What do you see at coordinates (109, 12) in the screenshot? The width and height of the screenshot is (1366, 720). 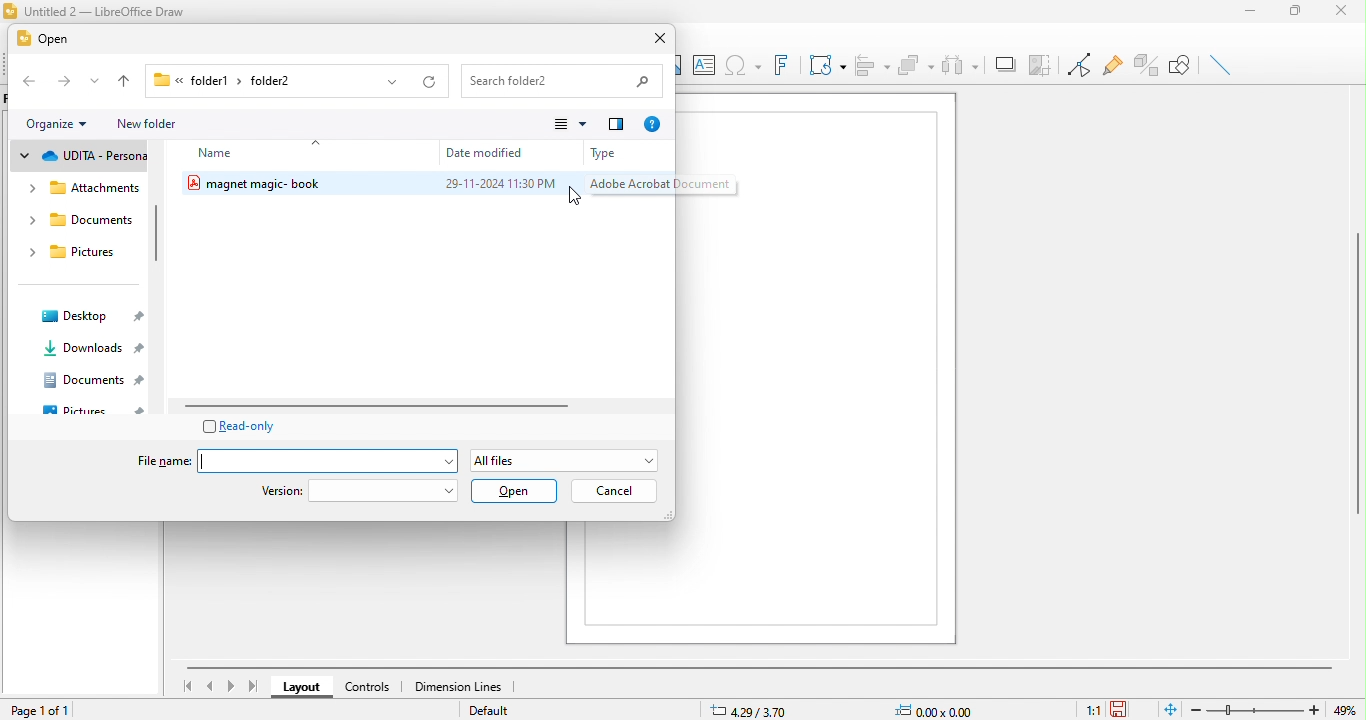 I see `Untitled 2- Libreoffice Draw` at bounding box center [109, 12].